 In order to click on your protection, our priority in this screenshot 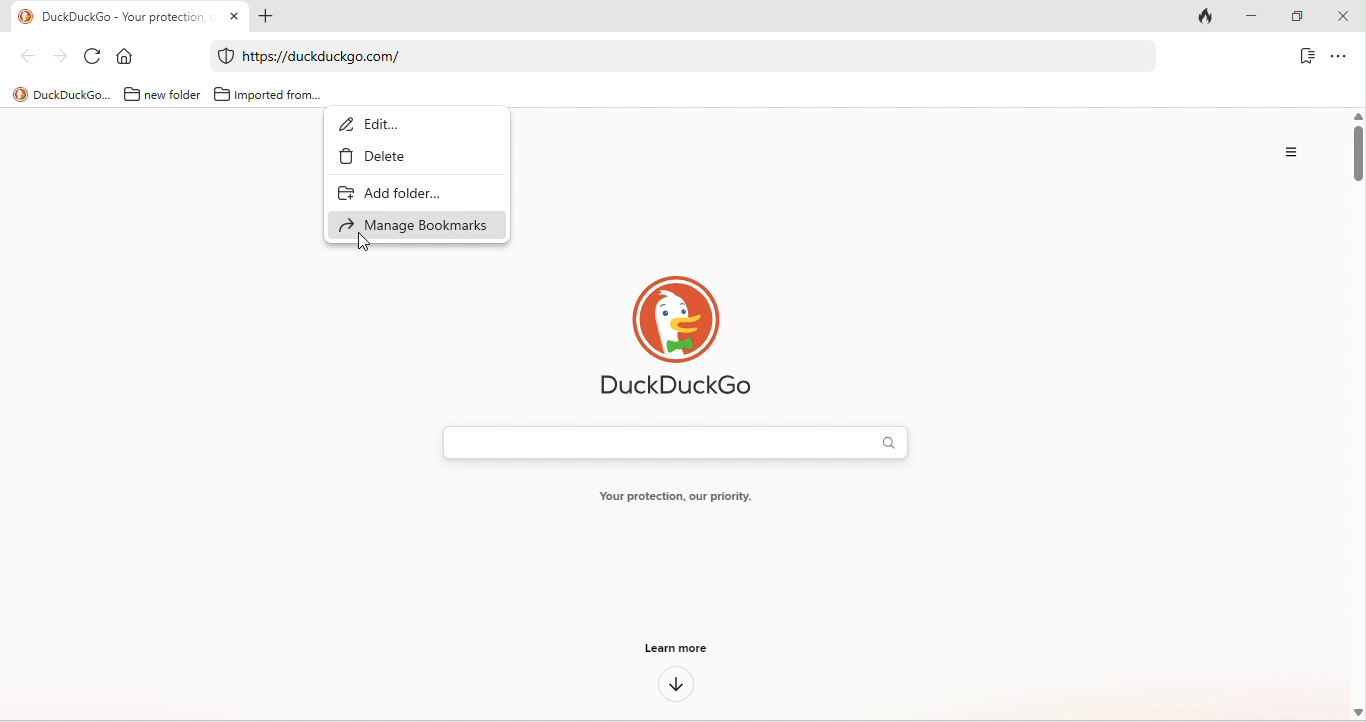, I will do `click(674, 498)`.